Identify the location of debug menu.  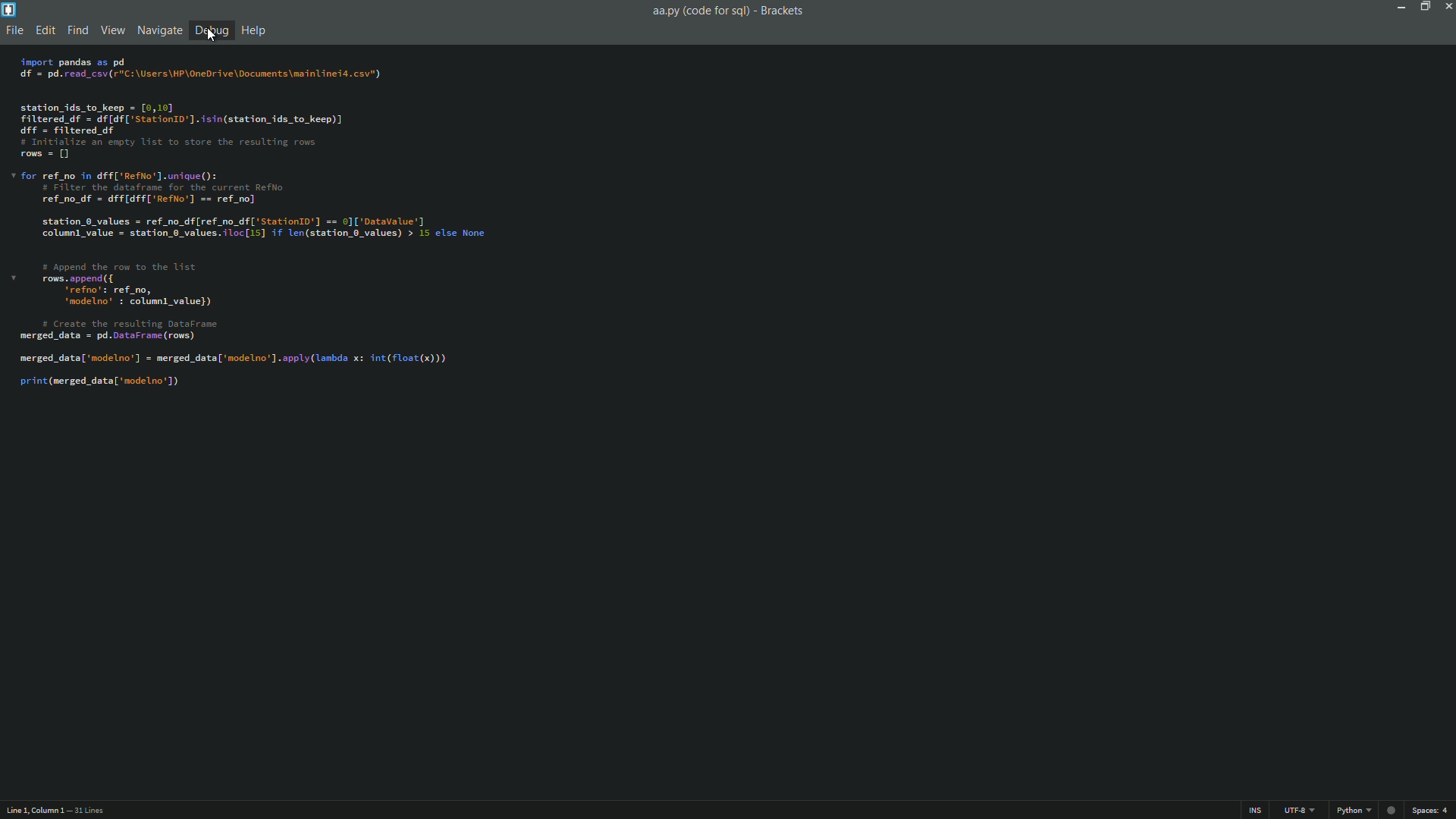
(209, 31).